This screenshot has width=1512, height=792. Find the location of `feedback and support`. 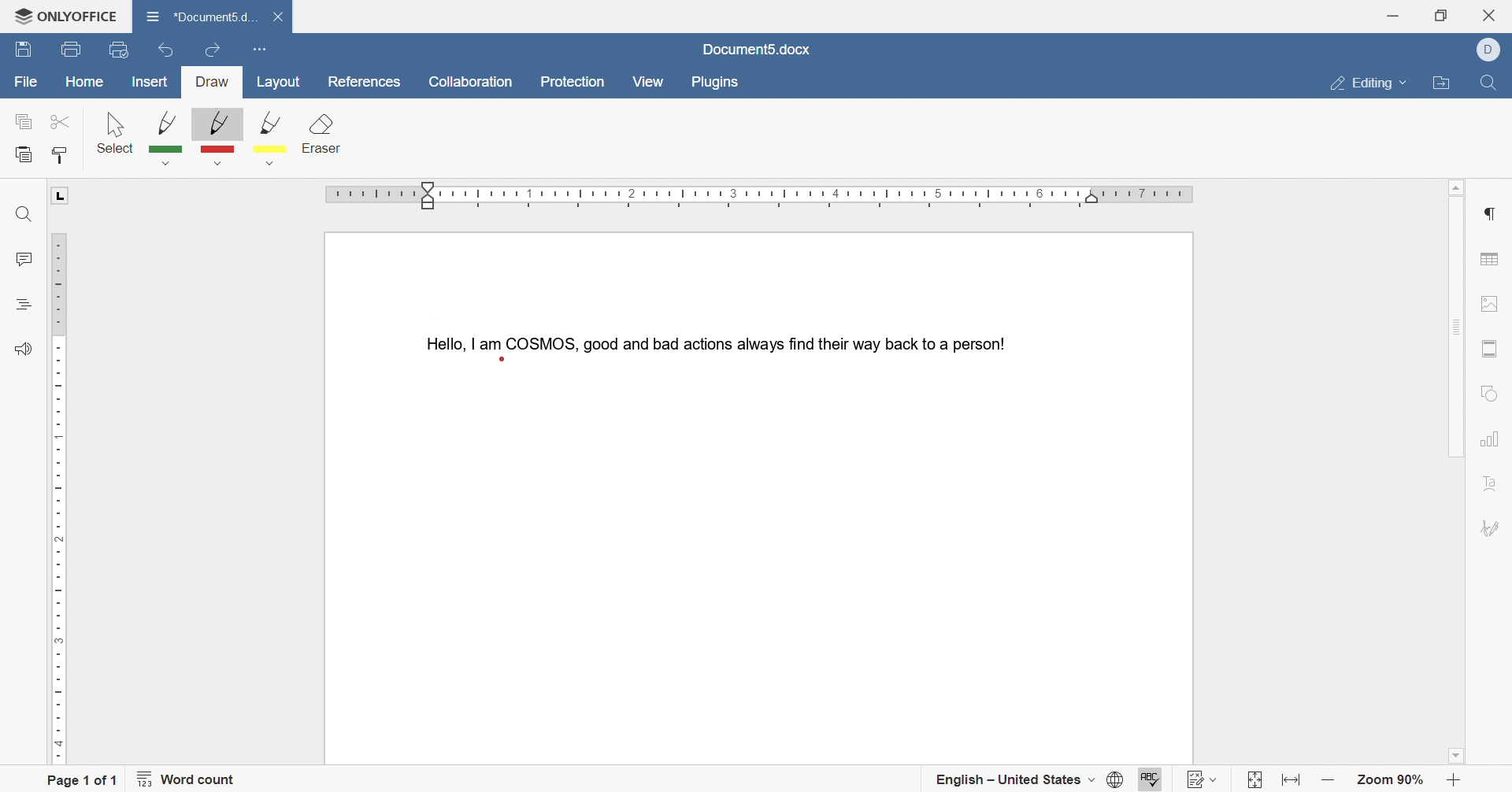

feedback and support is located at coordinates (22, 350).